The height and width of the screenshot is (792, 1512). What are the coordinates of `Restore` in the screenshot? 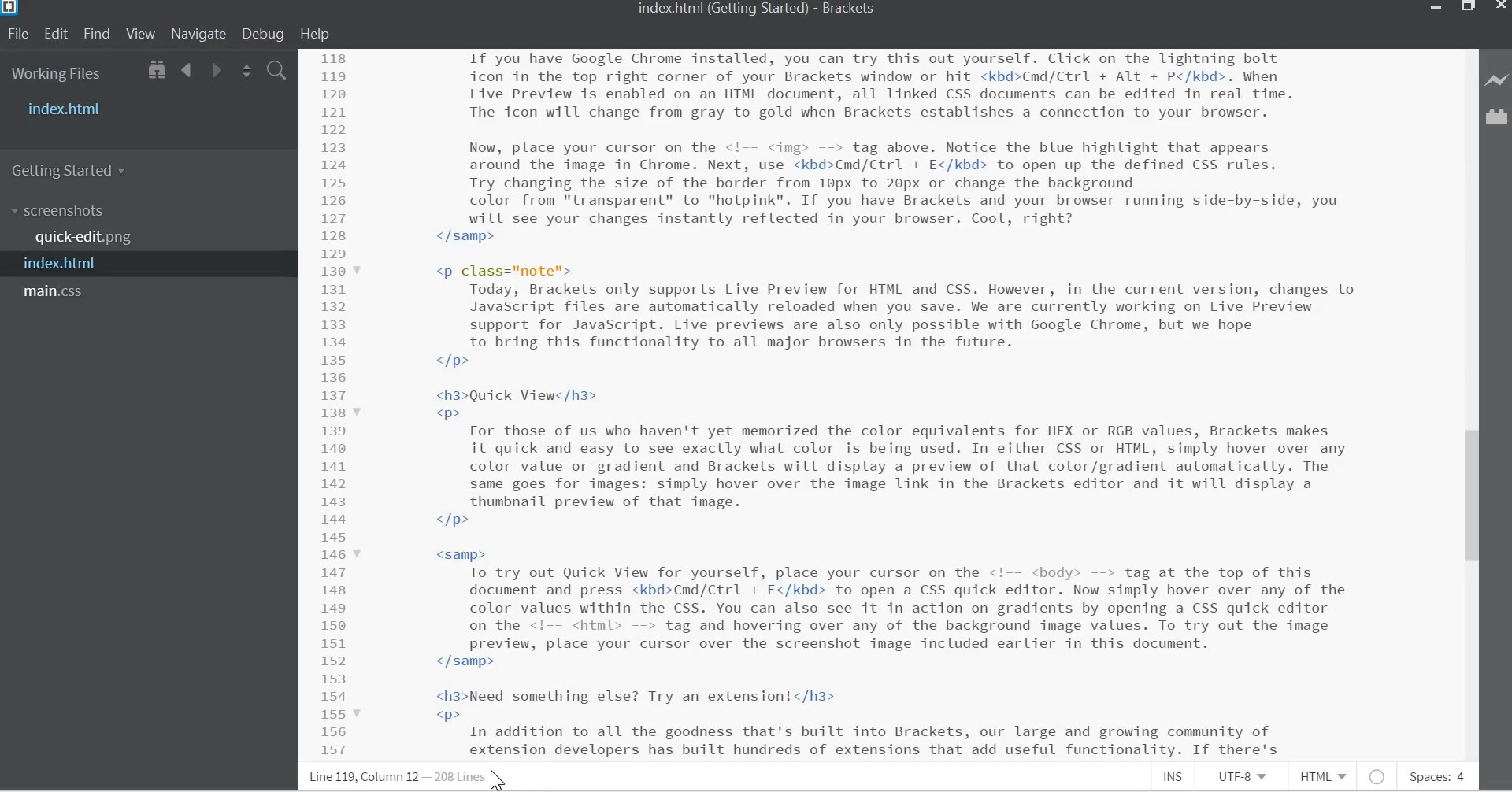 It's located at (1467, 7).